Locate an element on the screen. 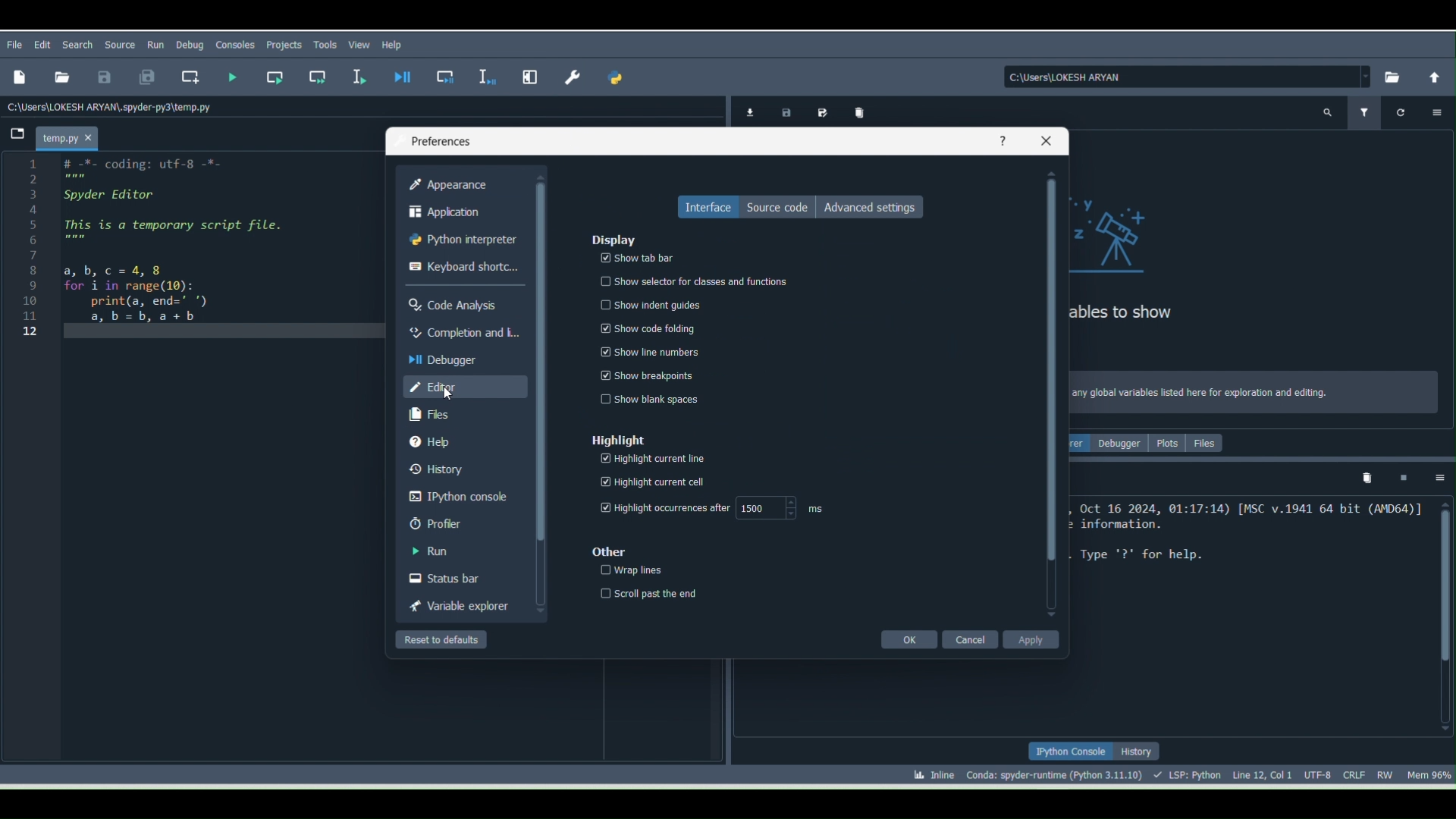 This screenshot has height=819, width=1456. Source is located at coordinates (121, 42).